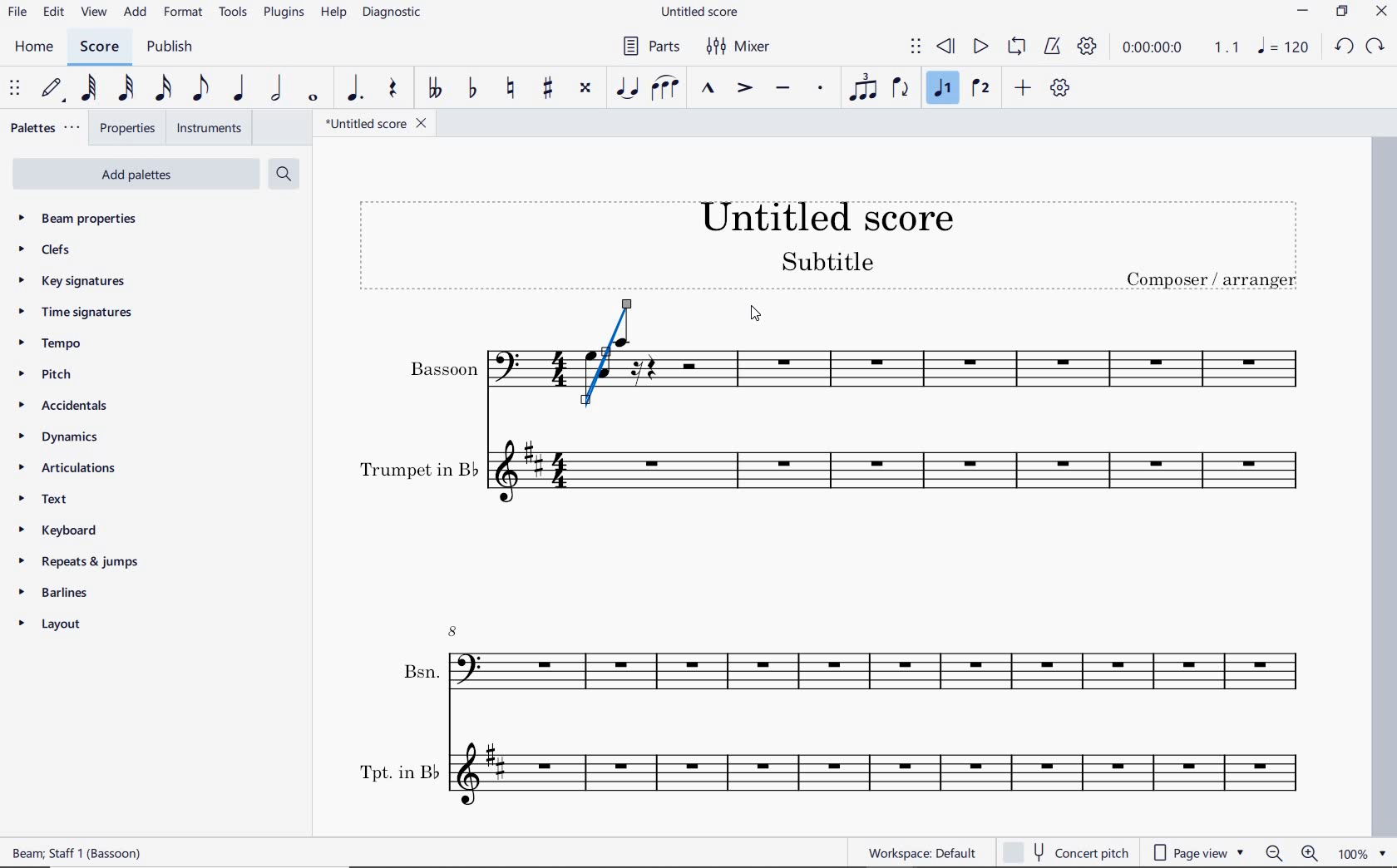 The height and width of the screenshot is (868, 1397). I want to click on Trumpet in B, so click(840, 483).